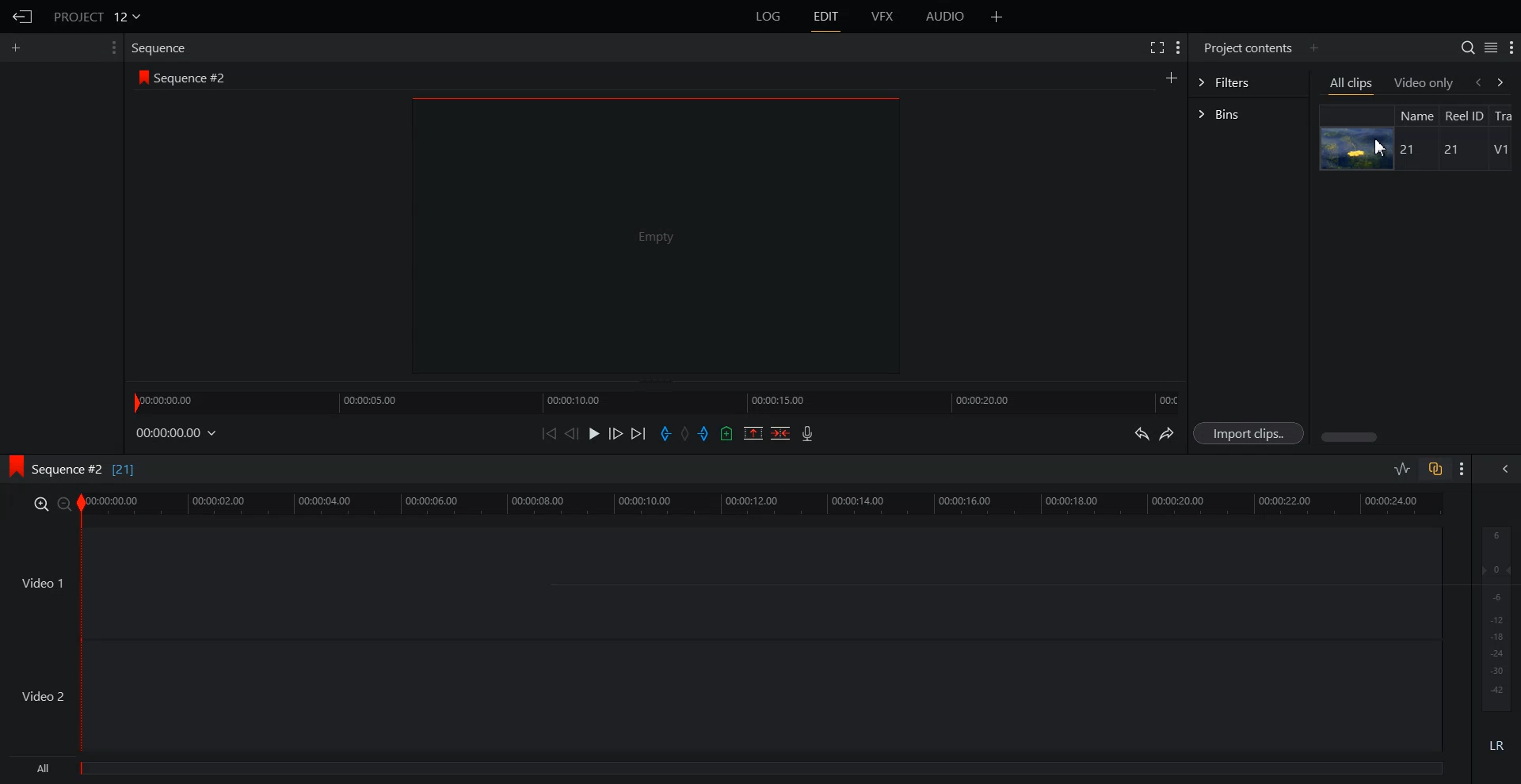  What do you see at coordinates (51, 504) in the screenshot?
I see `Zoom in and Out` at bounding box center [51, 504].